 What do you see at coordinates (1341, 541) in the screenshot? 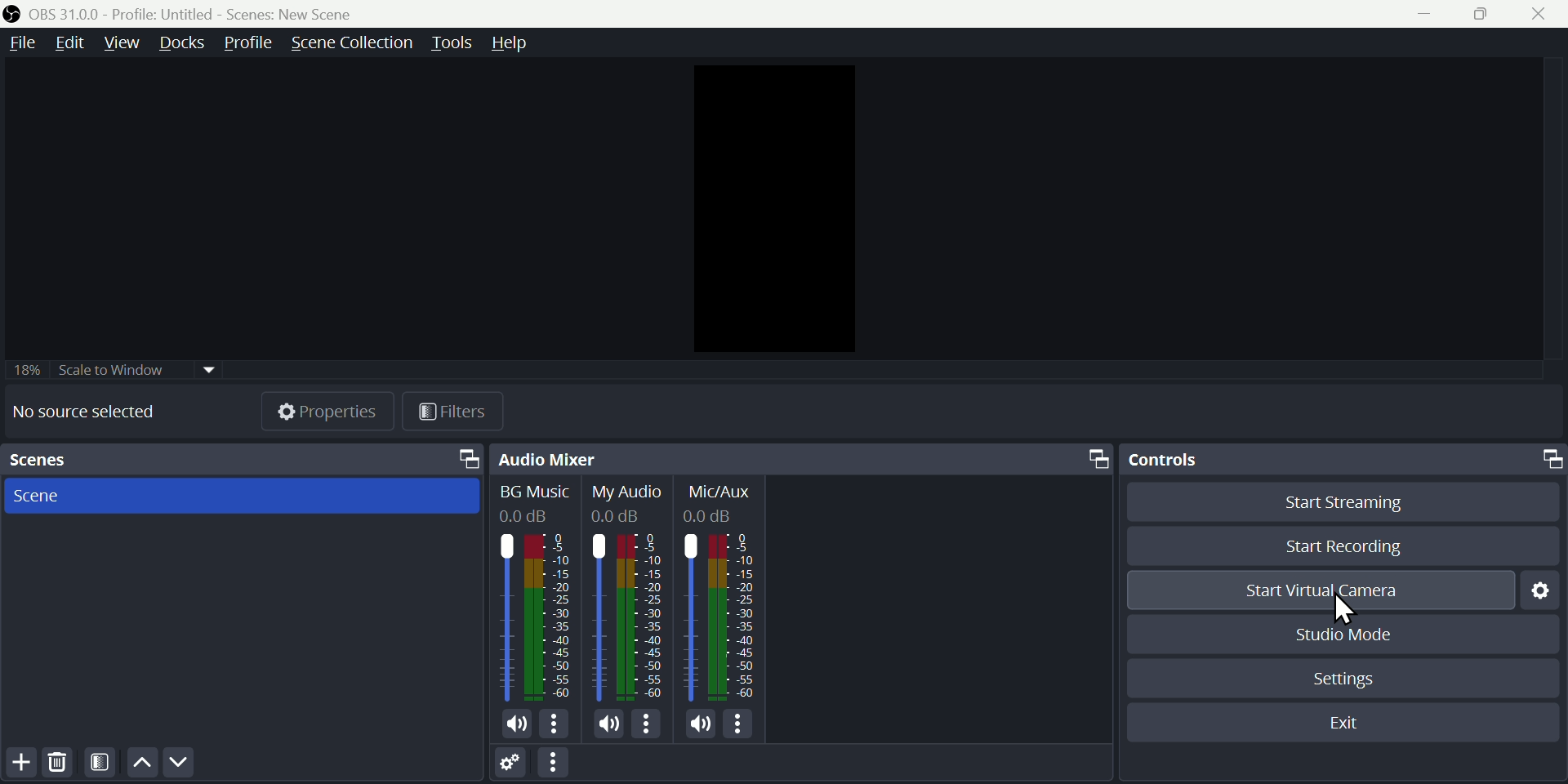
I see `Start recording` at bounding box center [1341, 541].